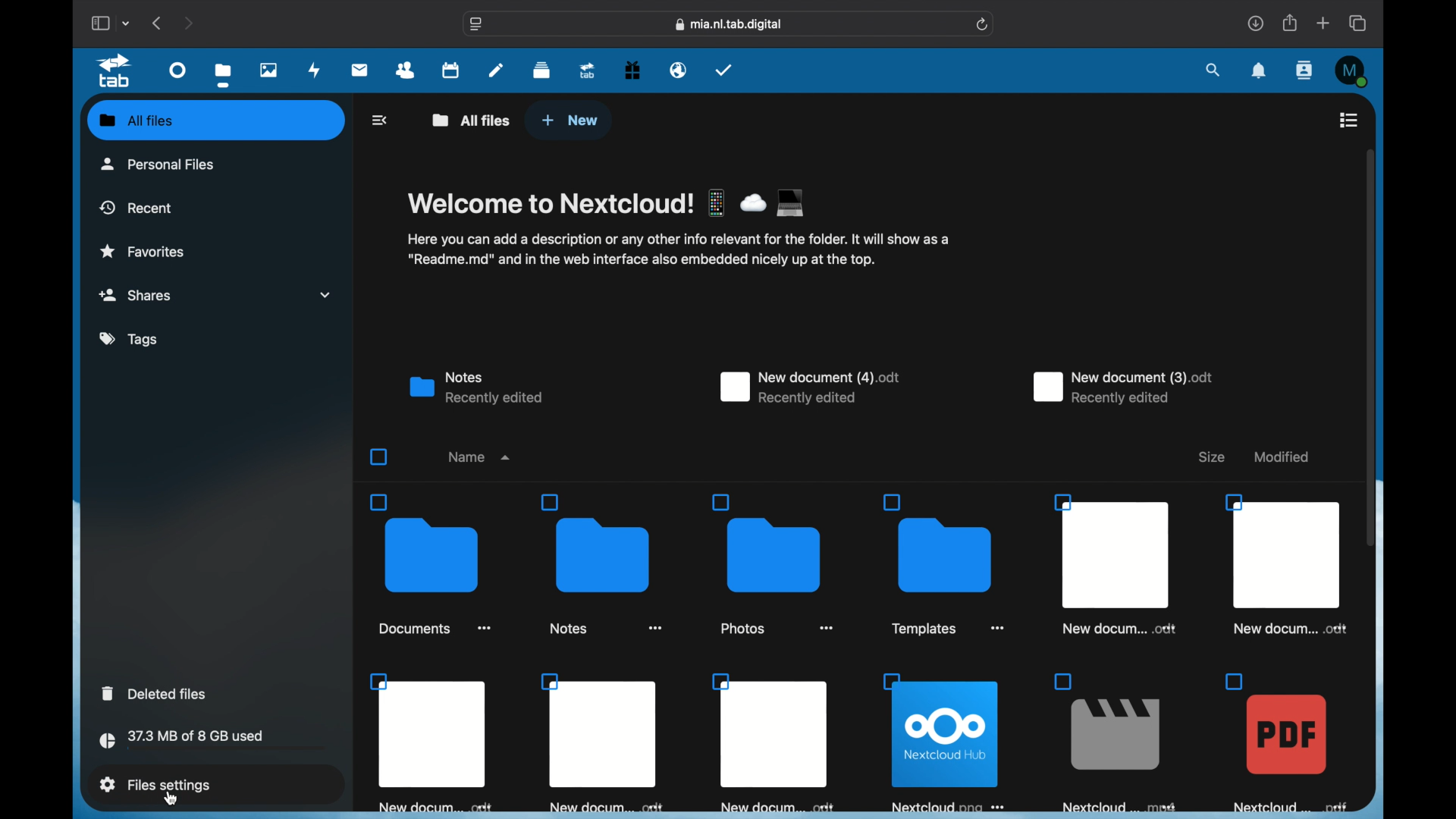  Describe the element at coordinates (268, 70) in the screenshot. I see `photos` at that location.